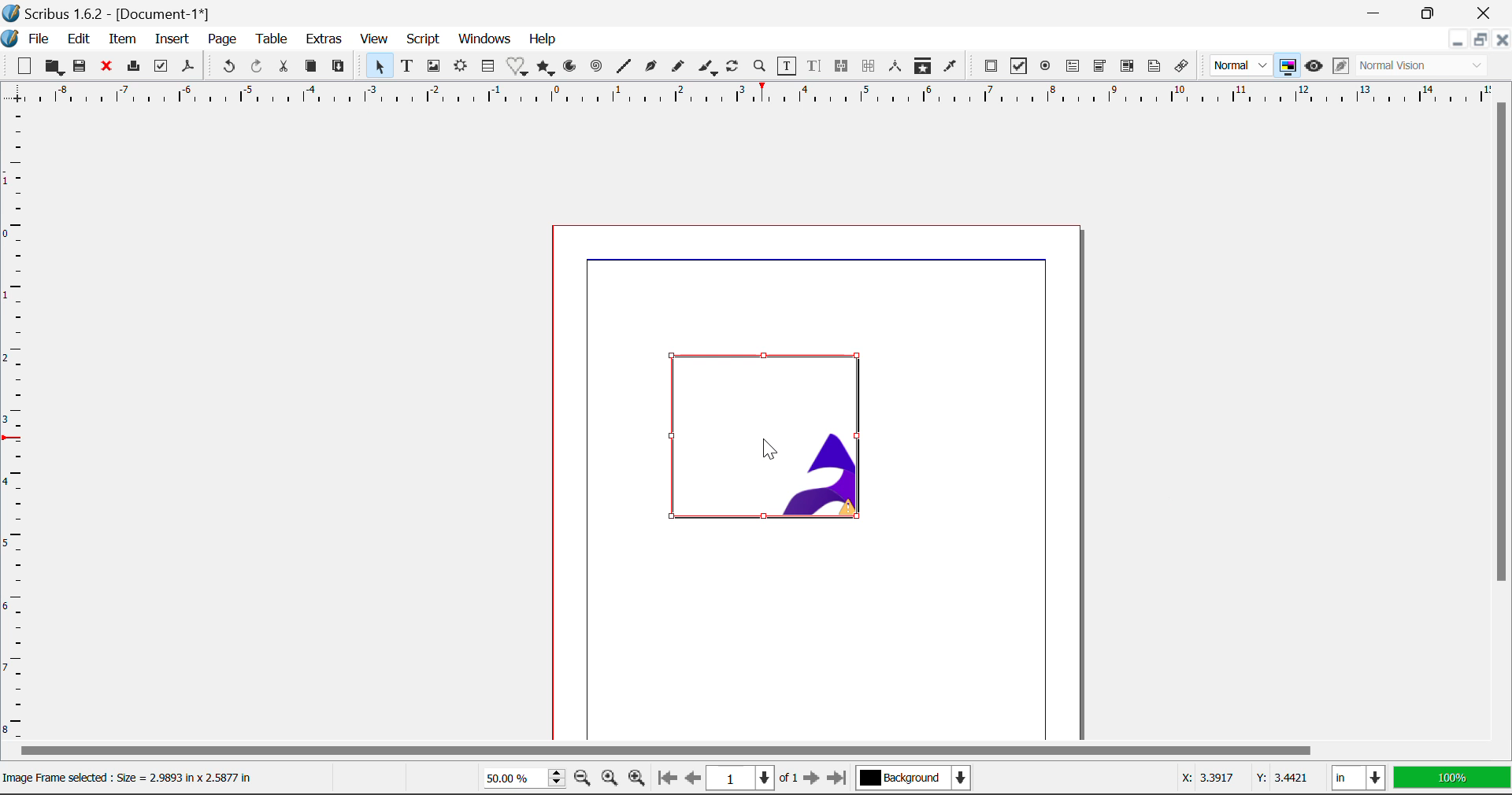  Describe the element at coordinates (951, 68) in the screenshot. I see `Eyedropper` at that location.